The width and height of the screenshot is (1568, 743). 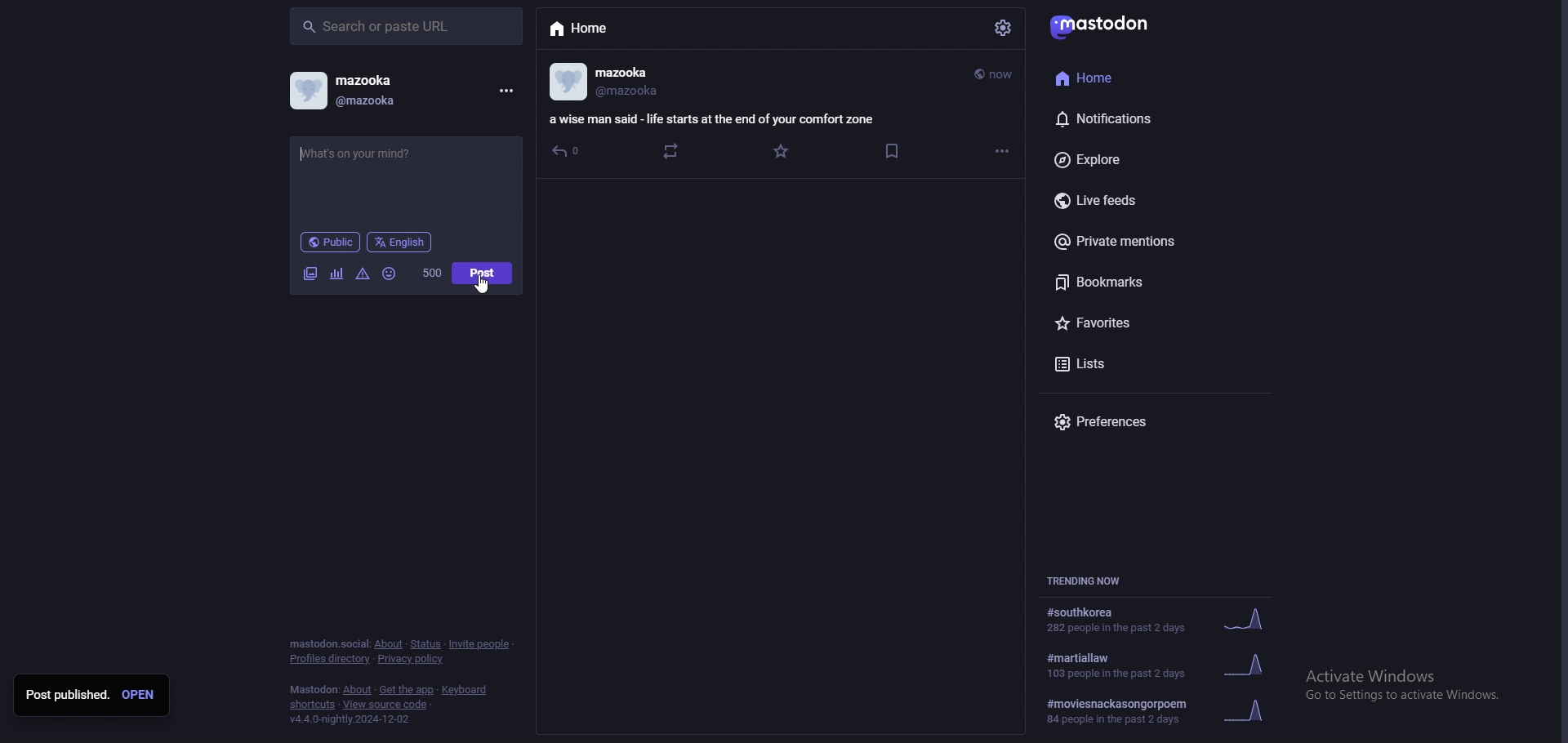 What do you see at coordinates (673, 151) in the screenshot?
I see `boost` at bounding box center [673, 151].